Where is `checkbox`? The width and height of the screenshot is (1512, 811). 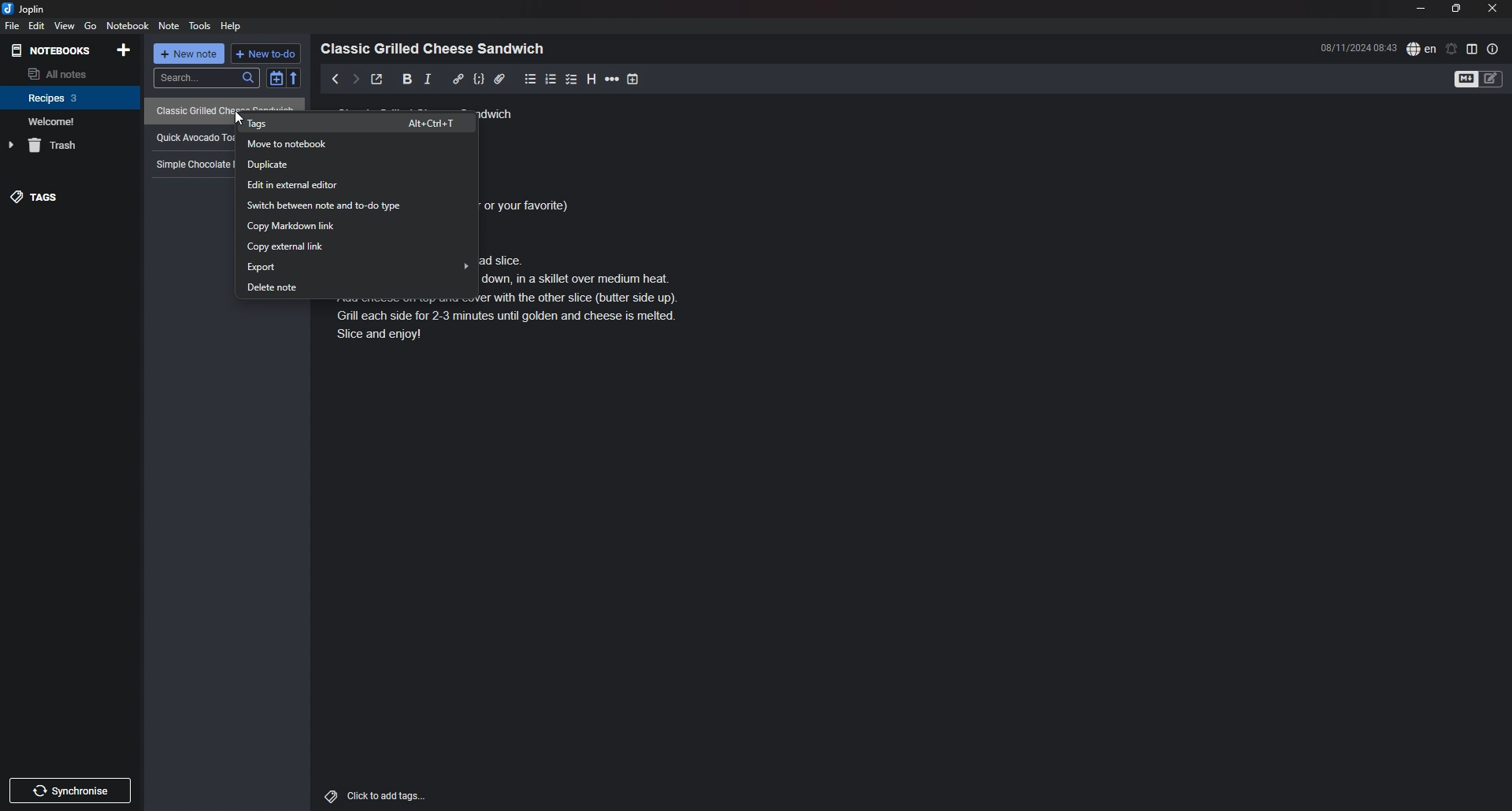
checkbox is located at coordinates (572, 79).